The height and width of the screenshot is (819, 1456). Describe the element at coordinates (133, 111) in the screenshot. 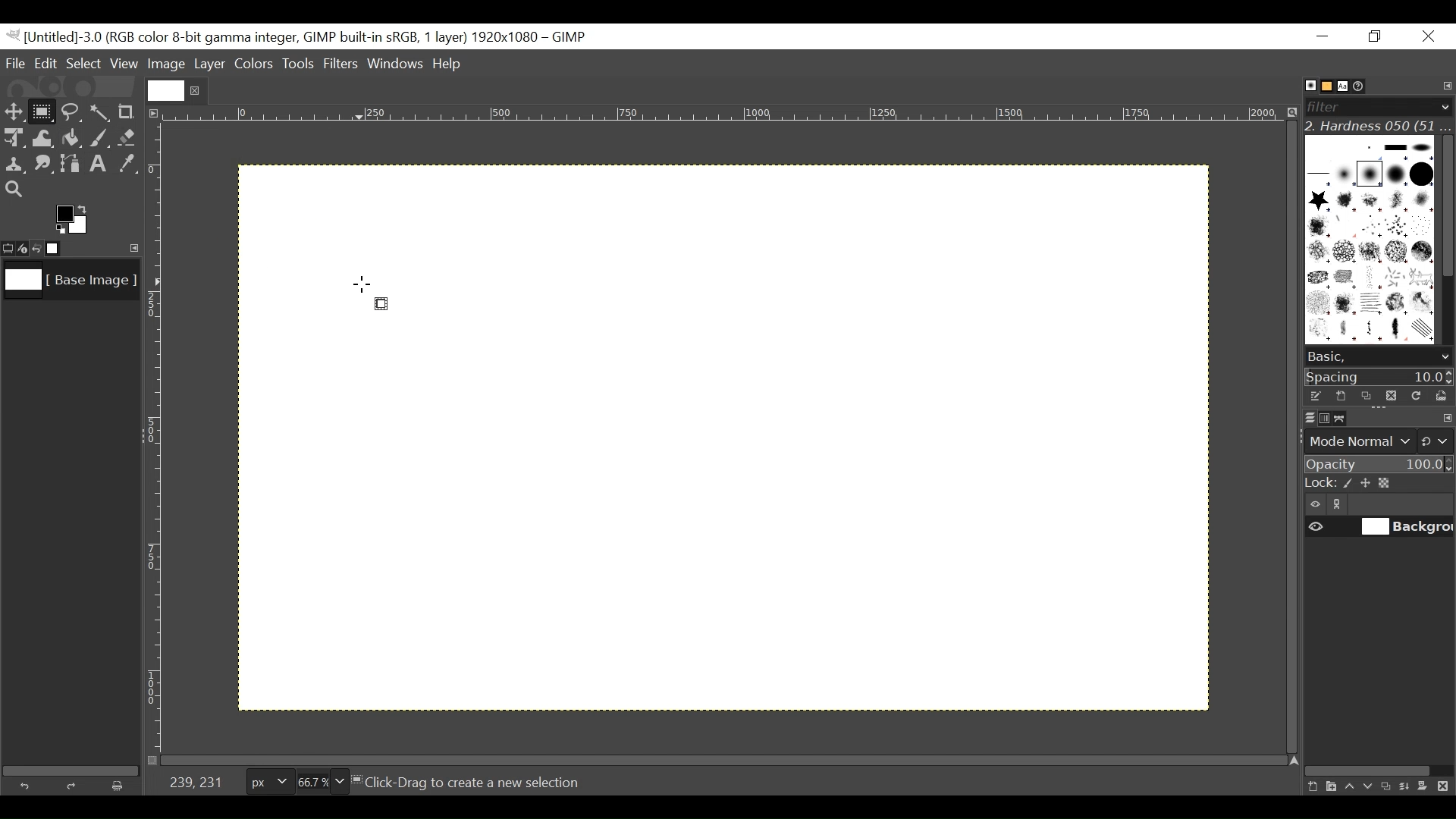

I see `Crop tool` at that location.